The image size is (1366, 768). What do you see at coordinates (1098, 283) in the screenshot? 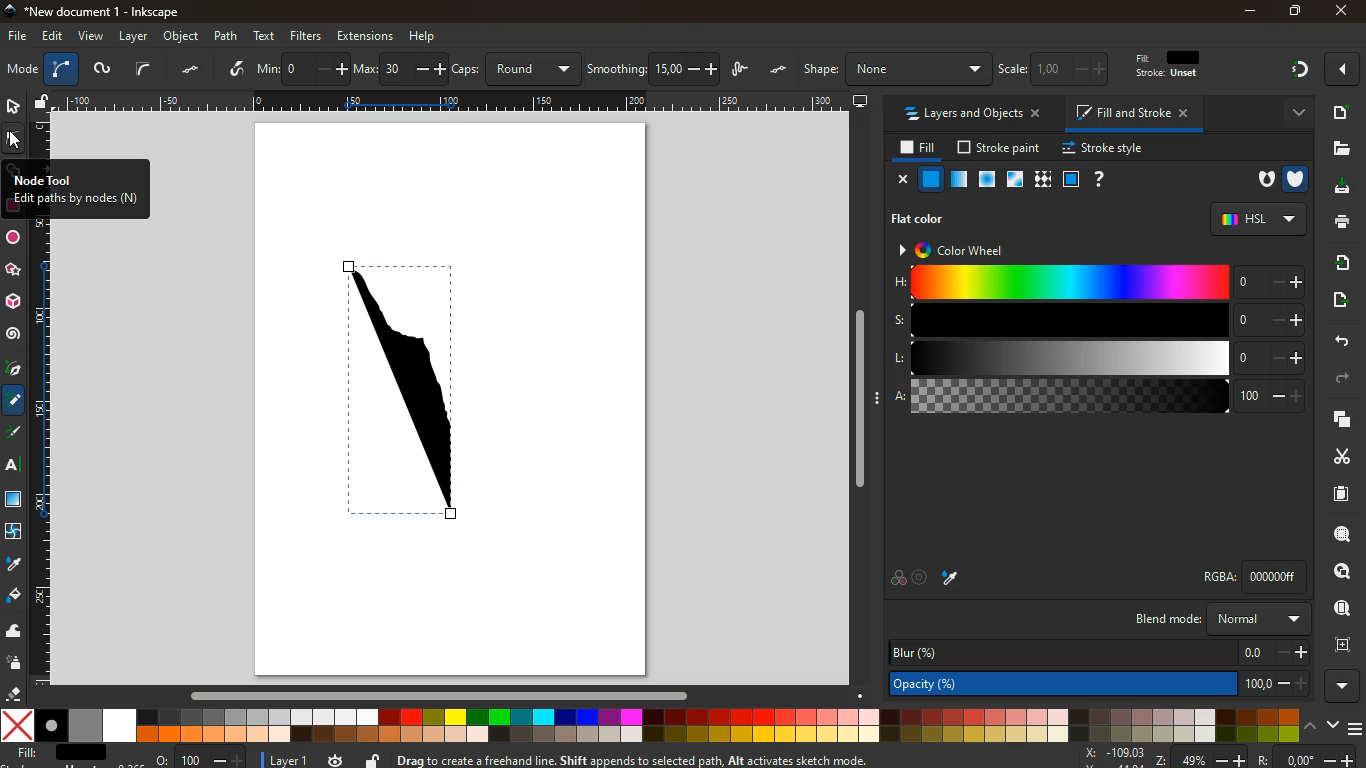
I see `h` at bounding box center [1098, 283].